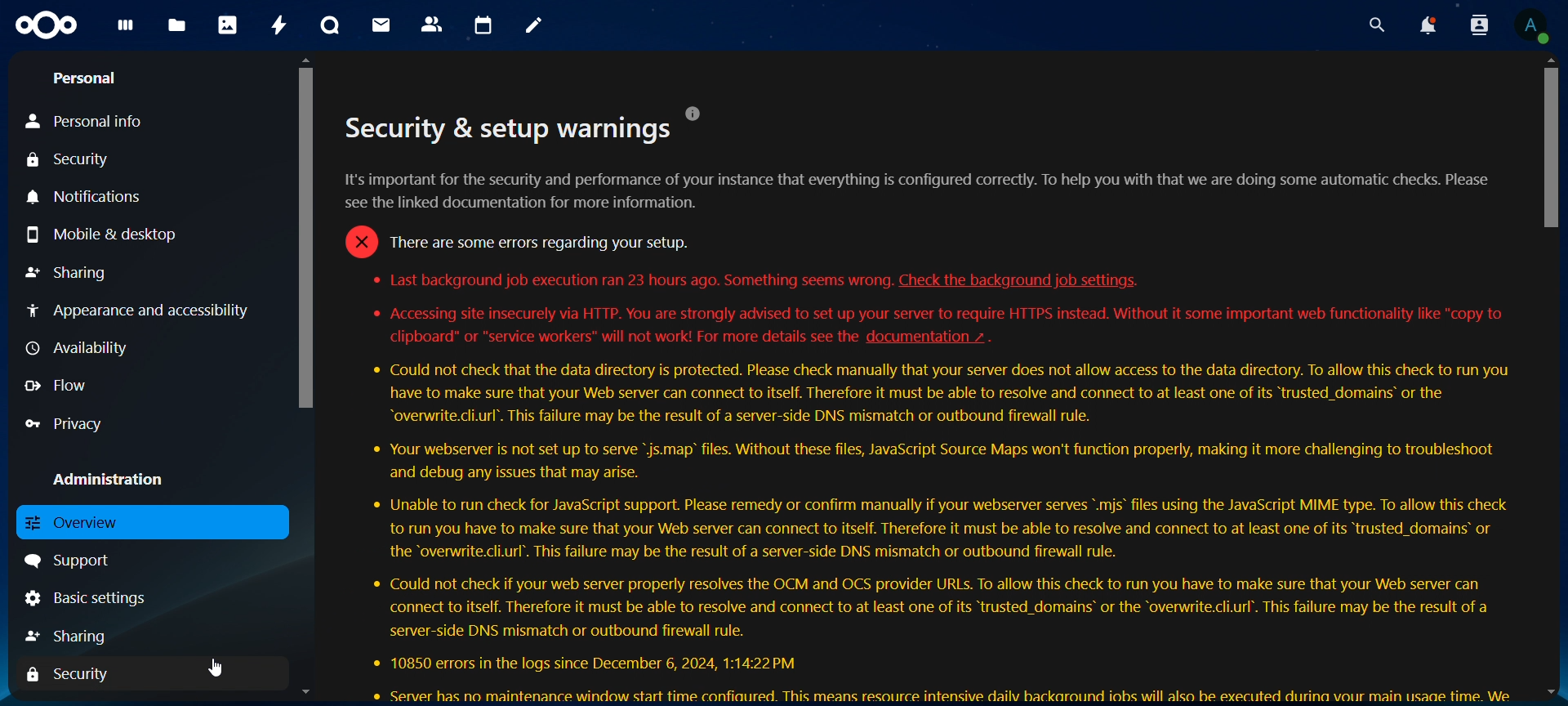  Describe the element at coordinates (280, 25) in the screenshot. I see `activity` at that location.